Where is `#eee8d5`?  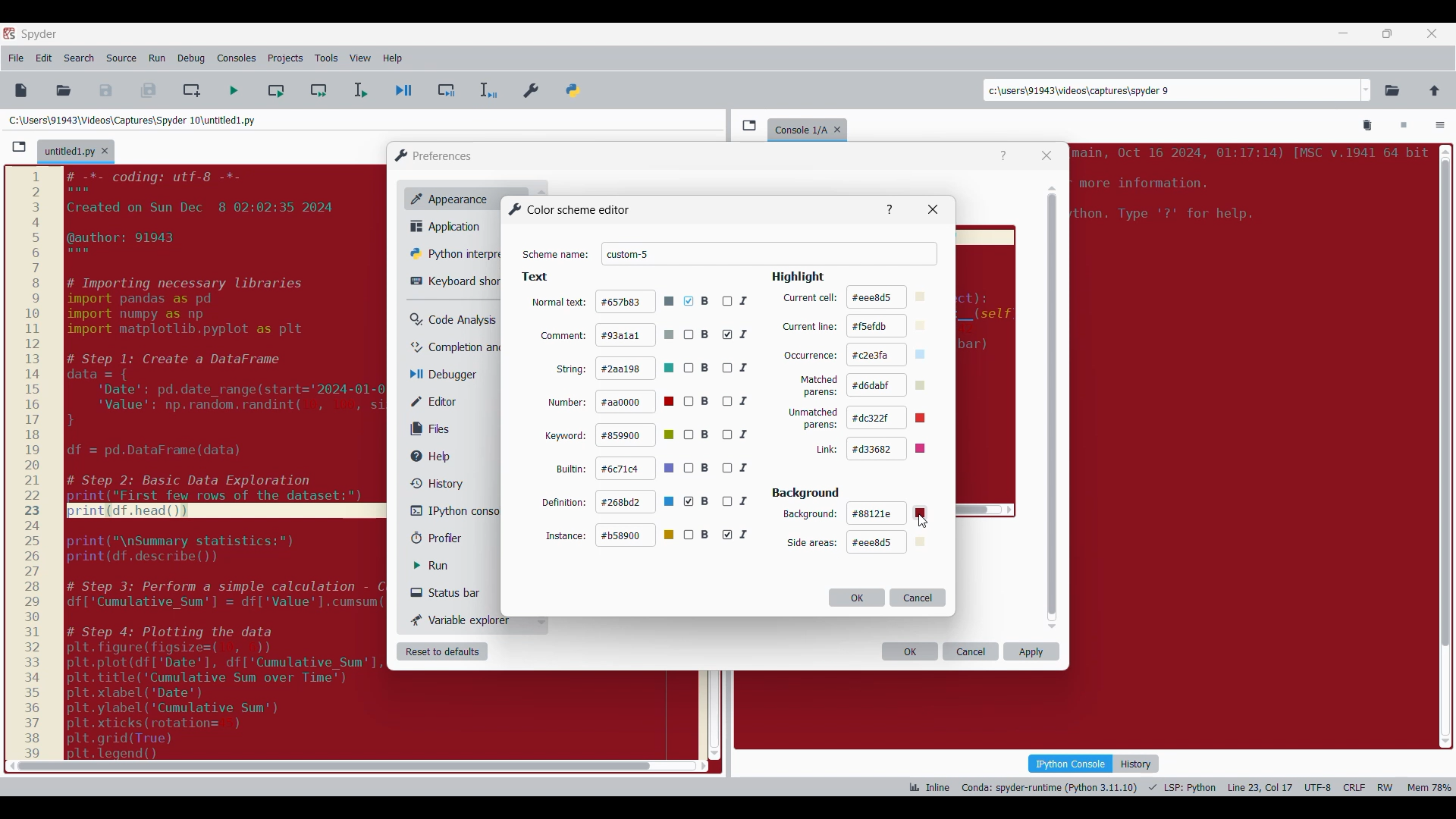
#eee8d5 is located at coordinates (886, 542).